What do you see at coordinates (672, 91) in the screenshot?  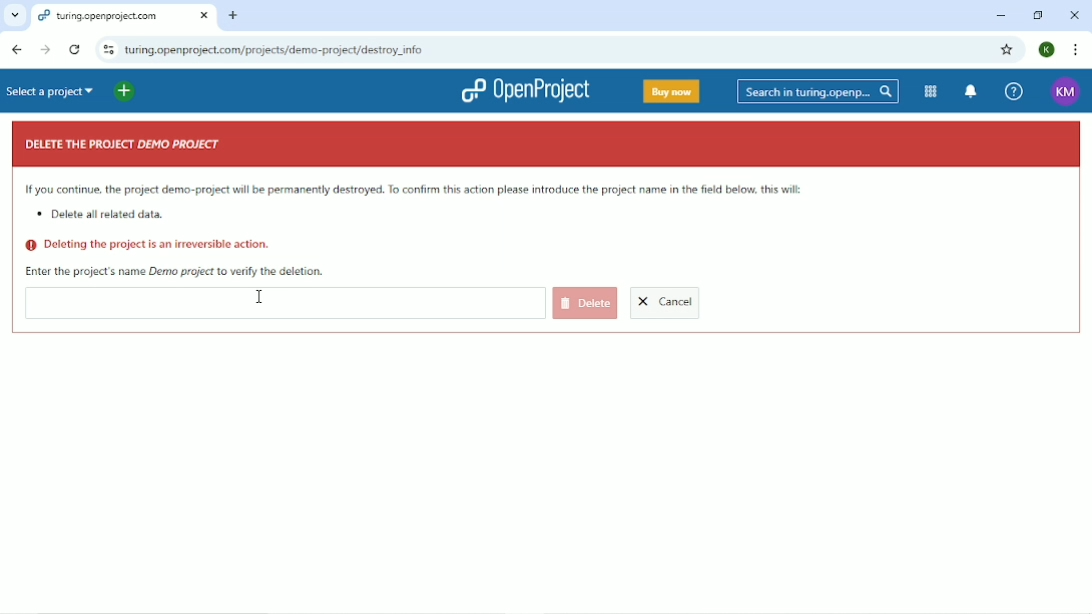 I see `Buy now` at bounding box center [672, 91].